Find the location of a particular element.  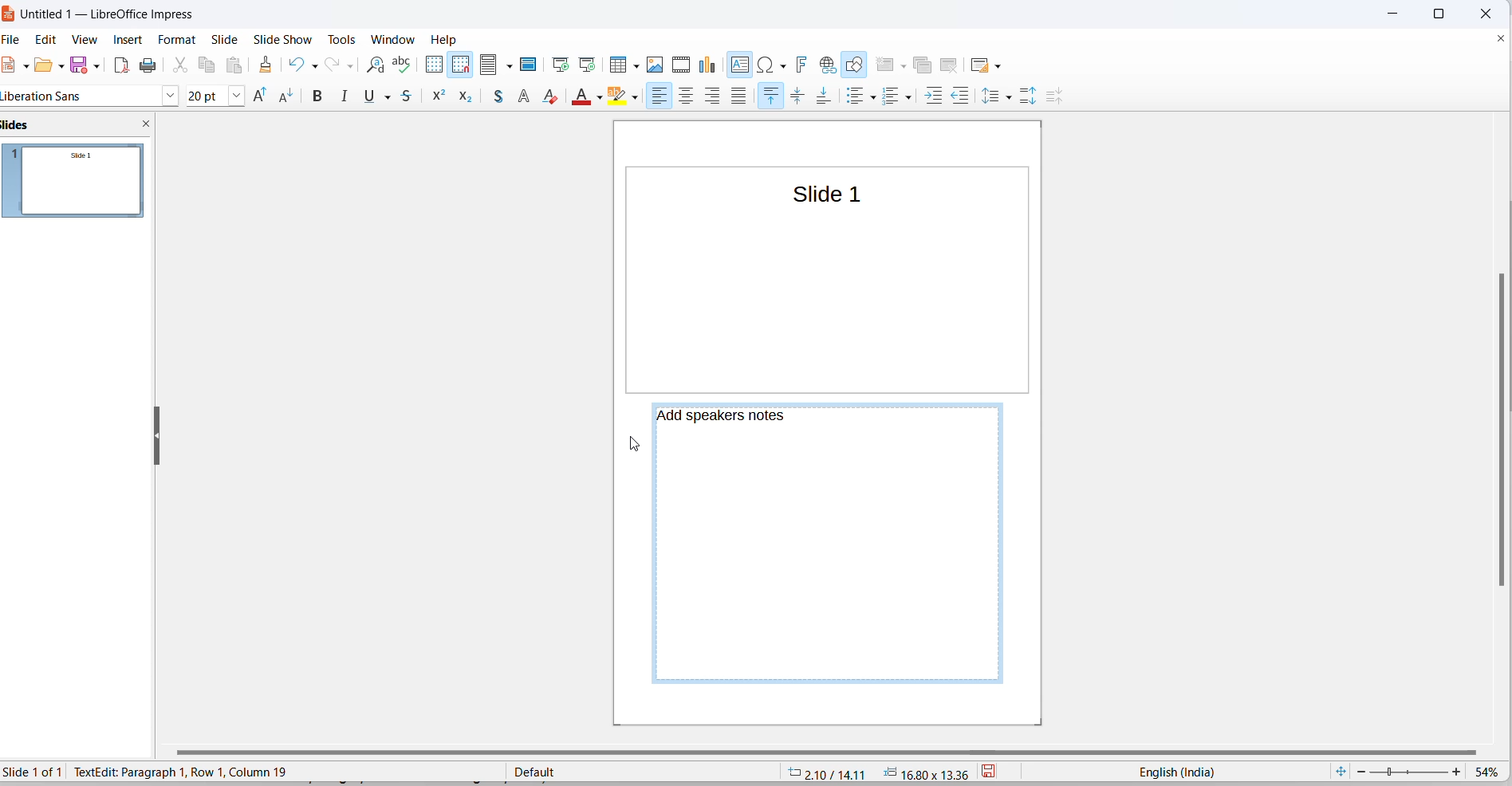

file is located at coordinates (16, 41).